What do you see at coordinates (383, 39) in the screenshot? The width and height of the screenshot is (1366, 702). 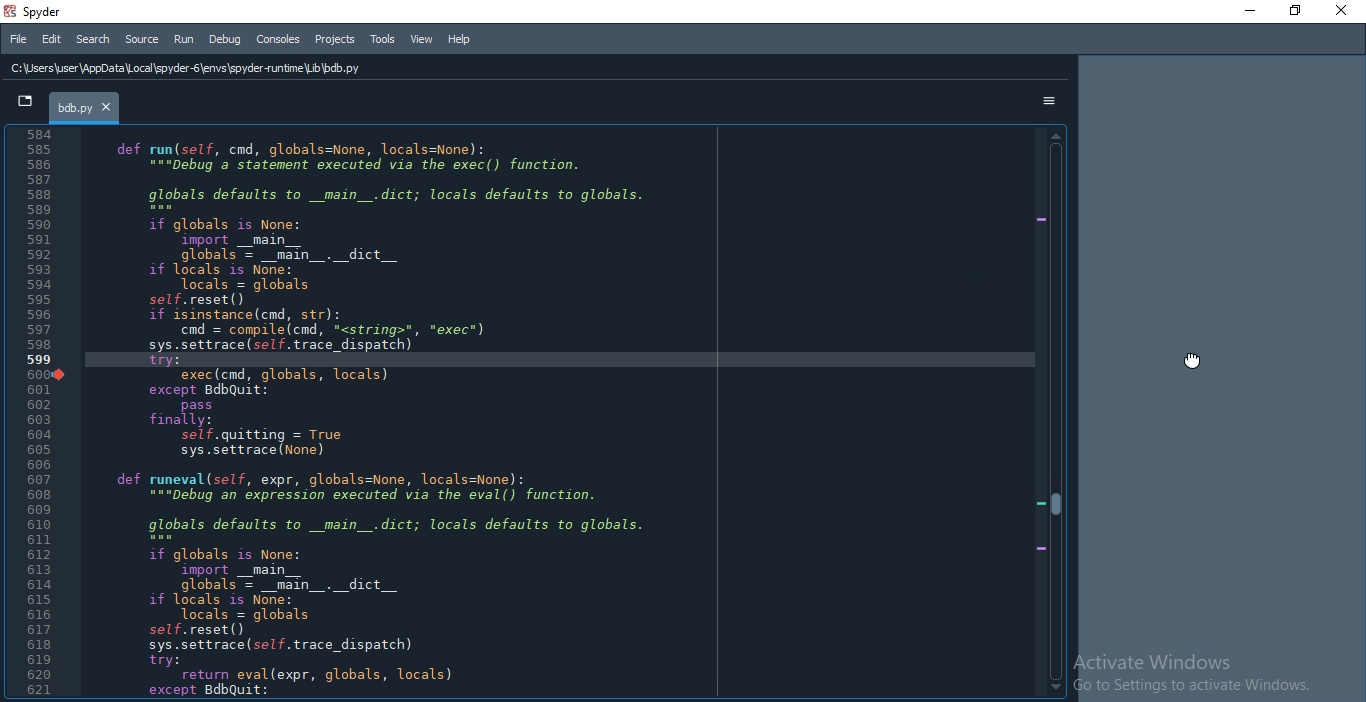 I see `Tools` at bounding box center [383, 39].